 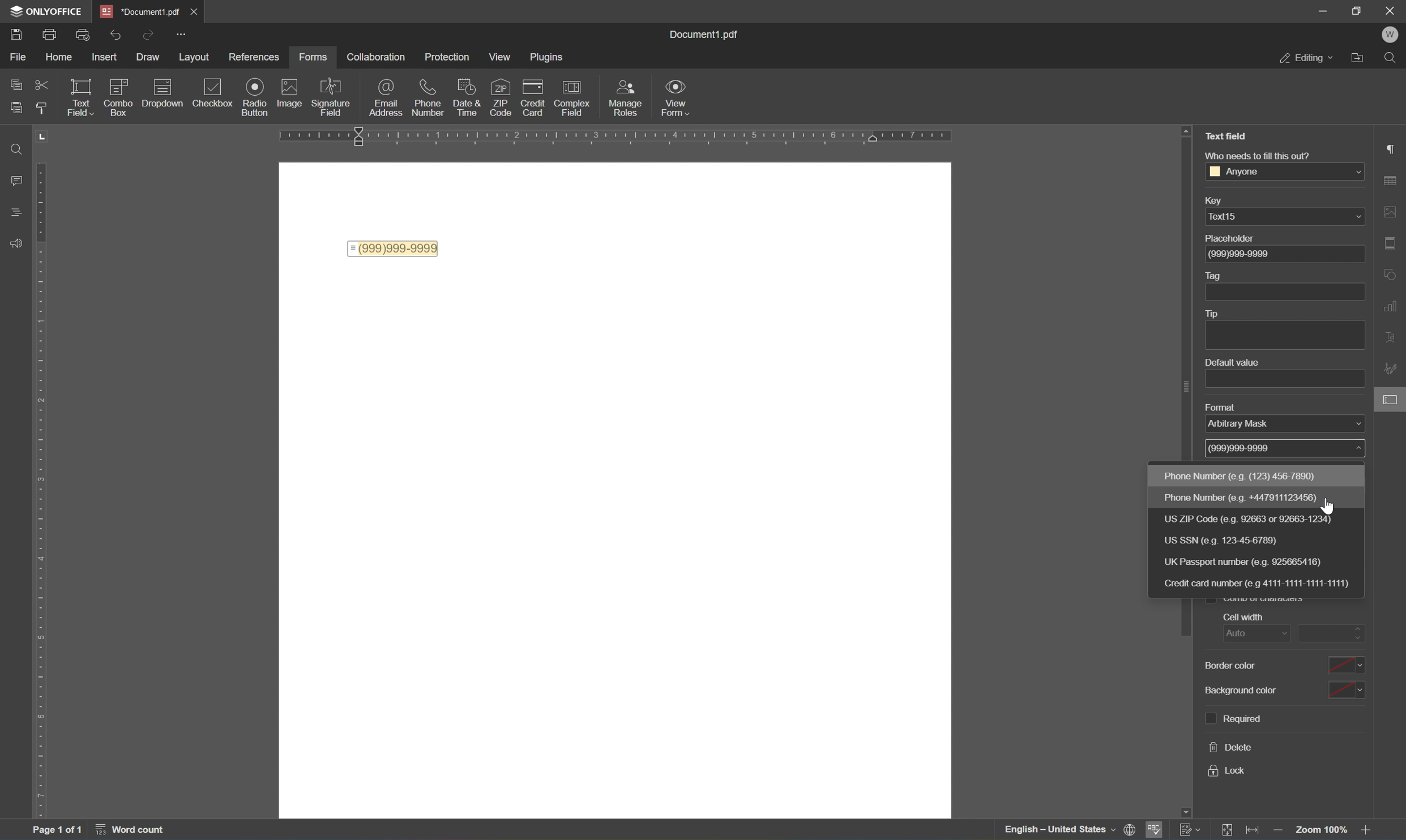 I want to click on undo, so click(x=115, y=35).